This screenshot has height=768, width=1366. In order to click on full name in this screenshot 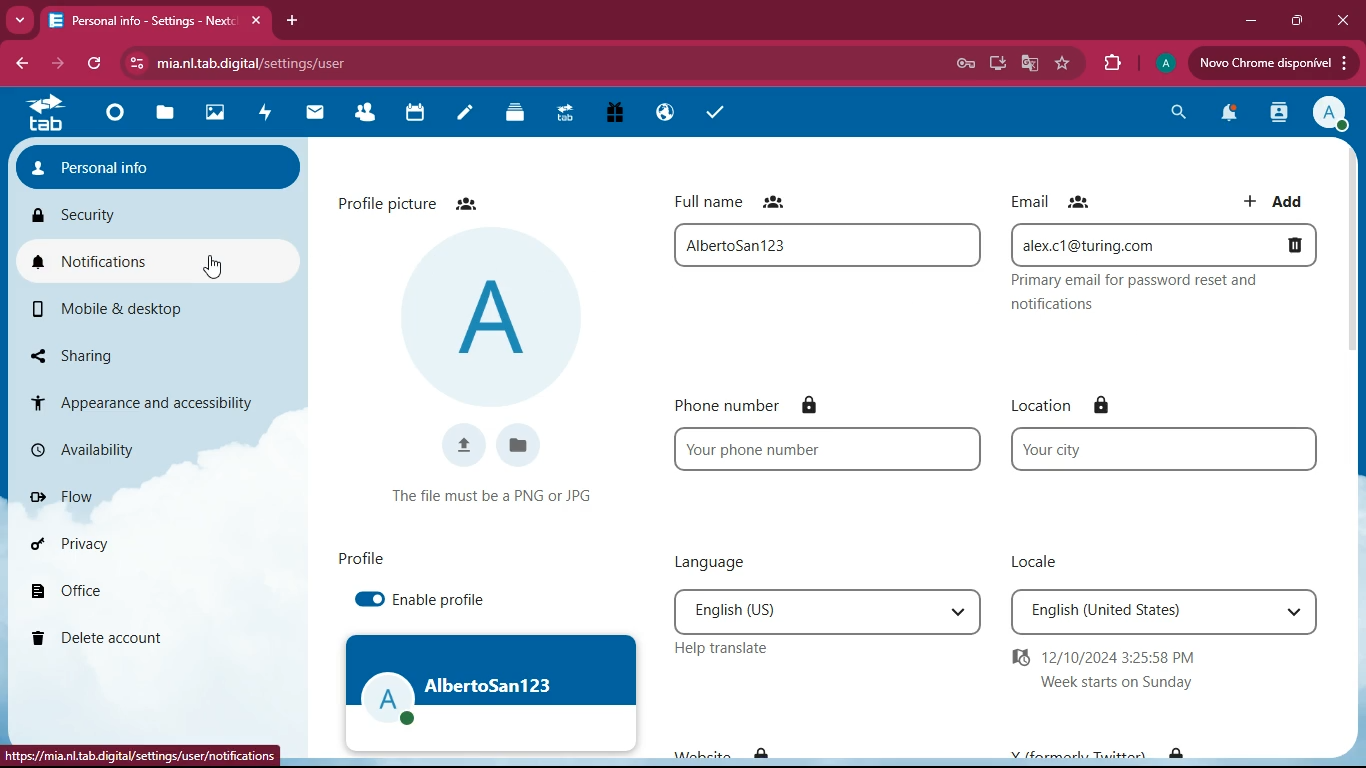, I will do `click(744, 199)`.